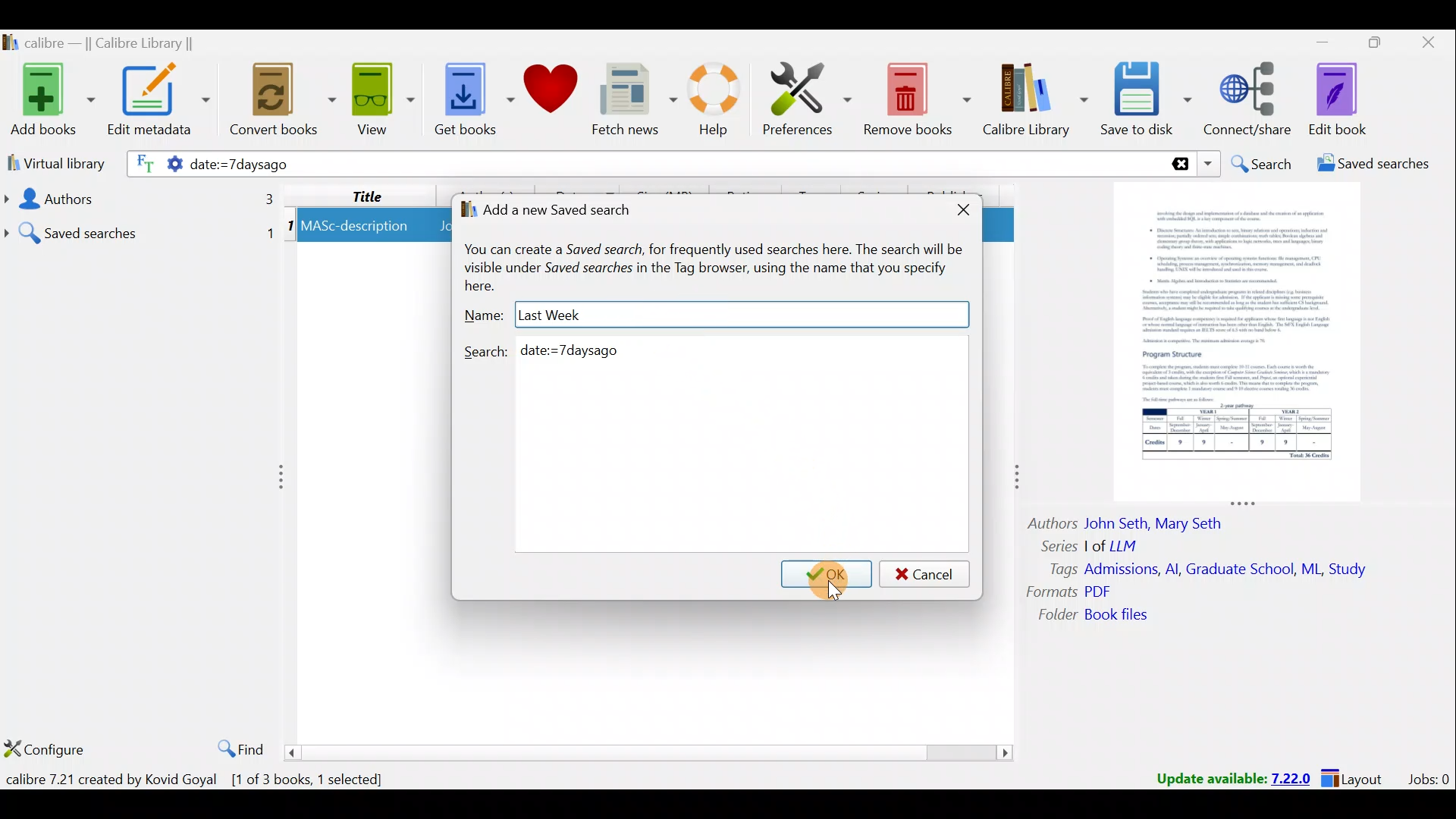 The height and width of the screenshot is (819, 1456). I want to click on date:=7daysago, so click(578, 351).